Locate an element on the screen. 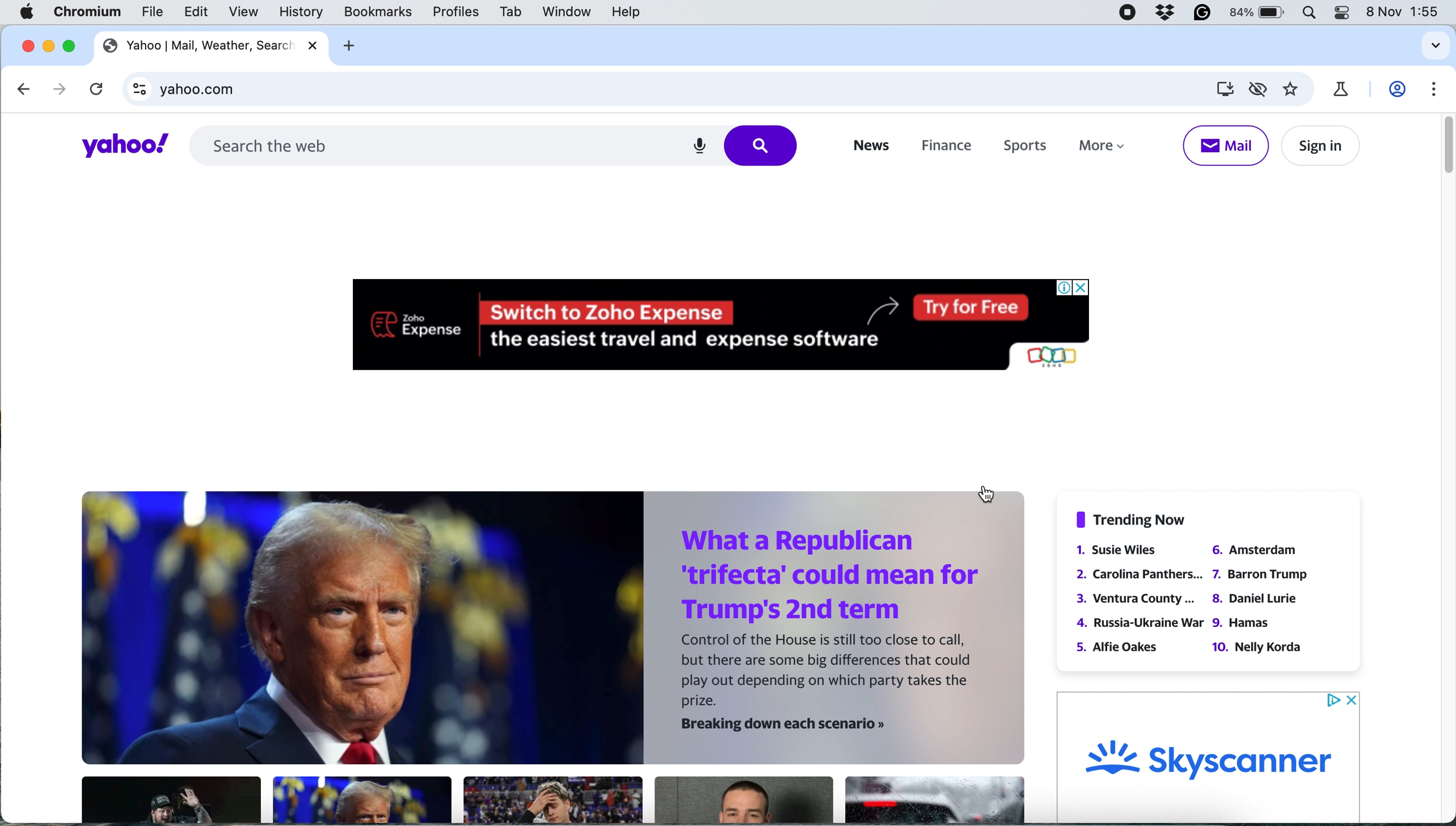 Image resolution: width=1456 pixels, height=826 pixels. dropbox is located at coordinates (1164, 12).